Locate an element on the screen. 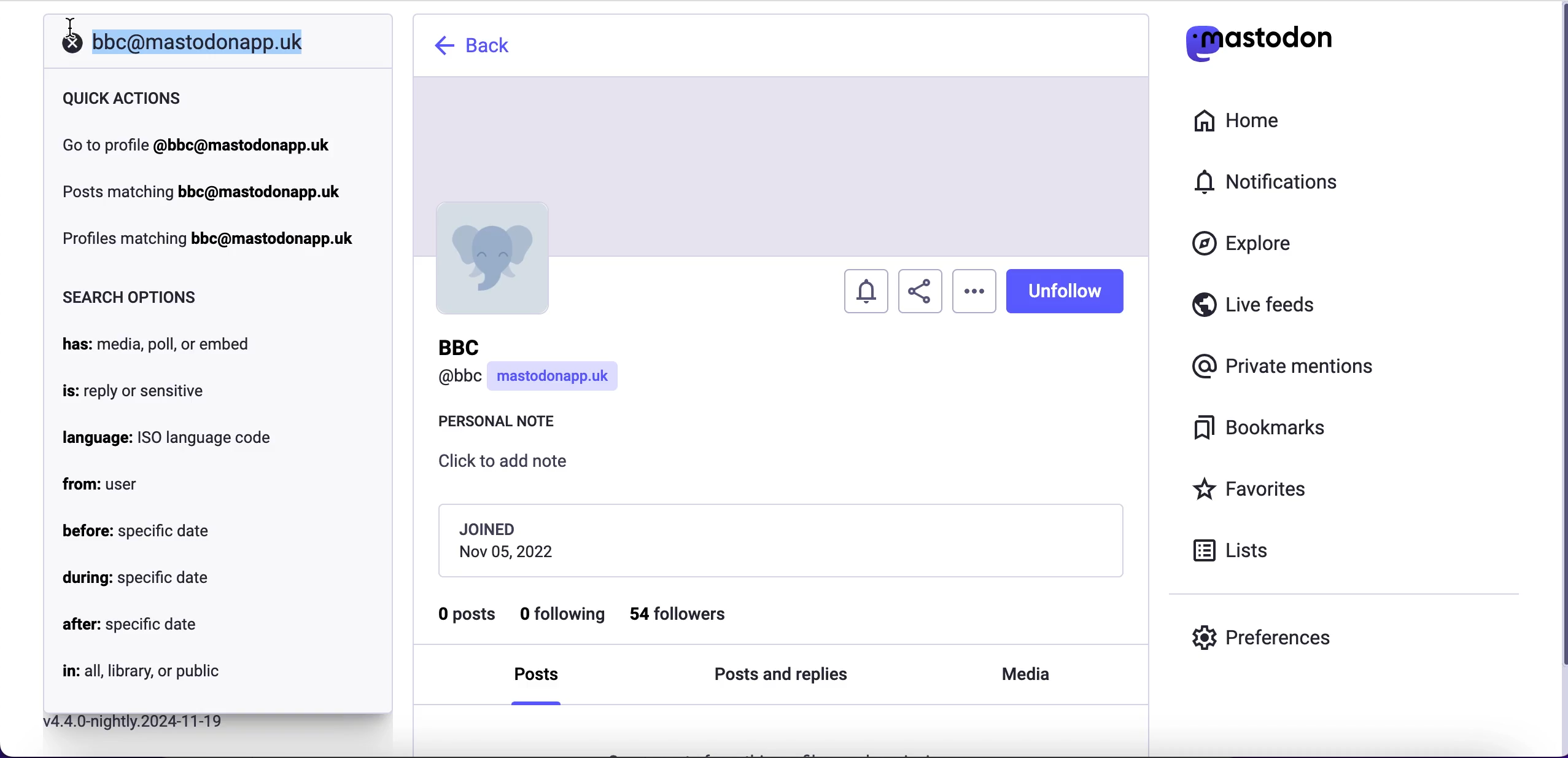 This screenshot has width=1568, height=758. options is located at coordinates (974, 291).